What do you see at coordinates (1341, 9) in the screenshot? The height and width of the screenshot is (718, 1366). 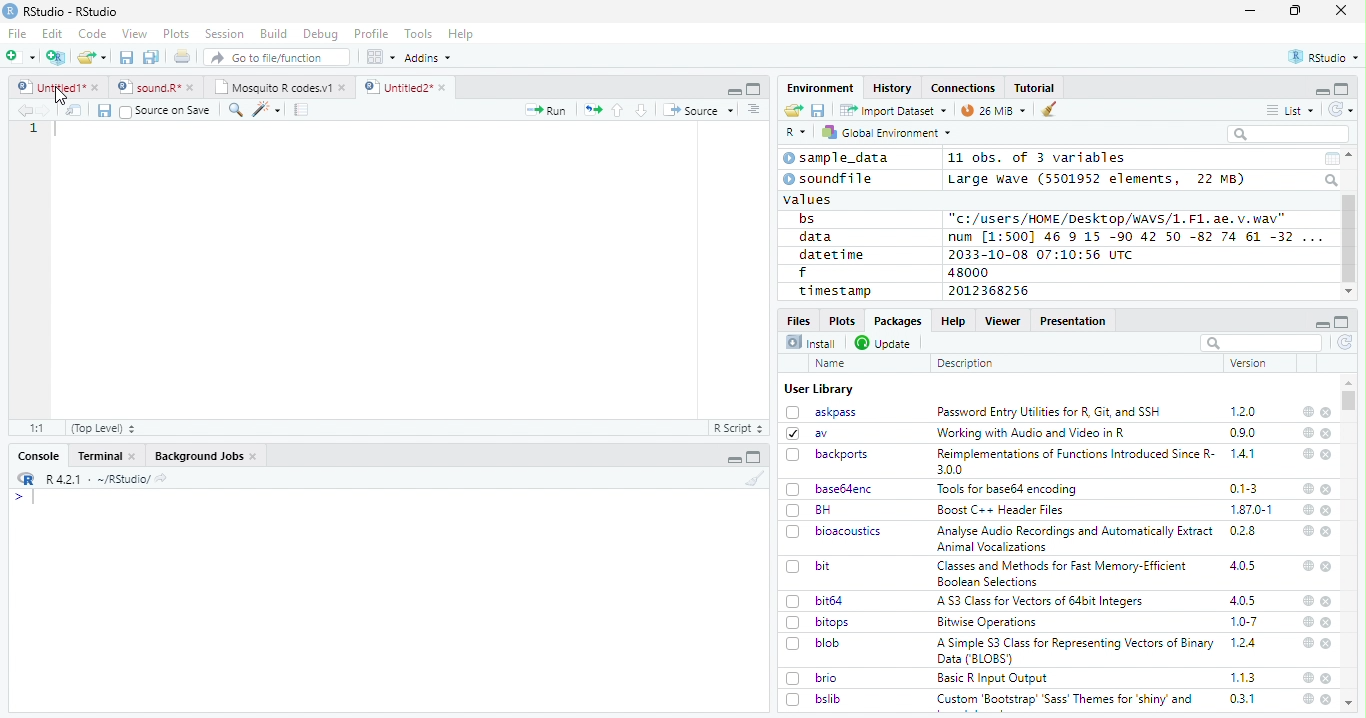 I see `close` at bounding box center [1341, 9].